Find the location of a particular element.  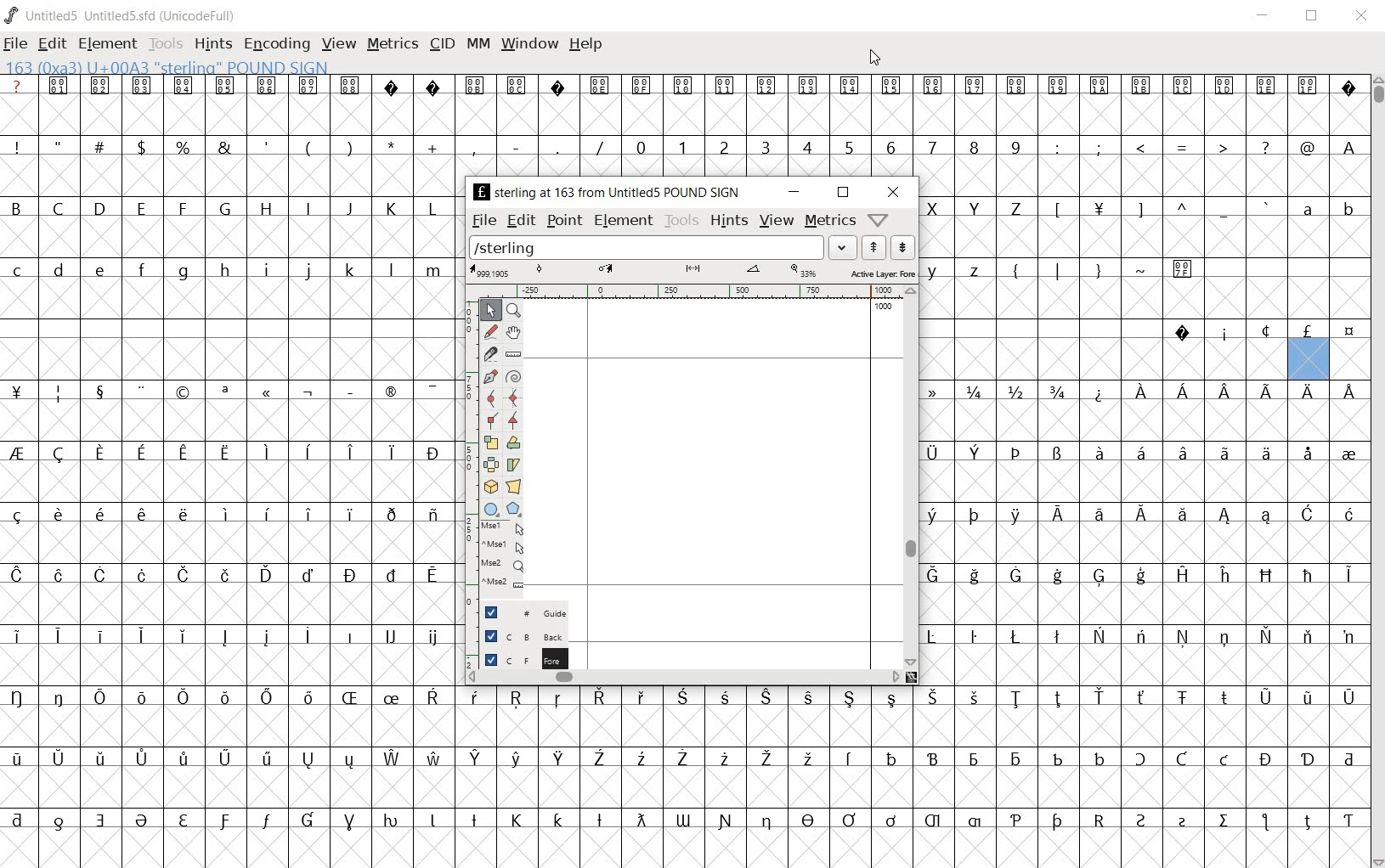

minimize is located at coordinates (793, 192).